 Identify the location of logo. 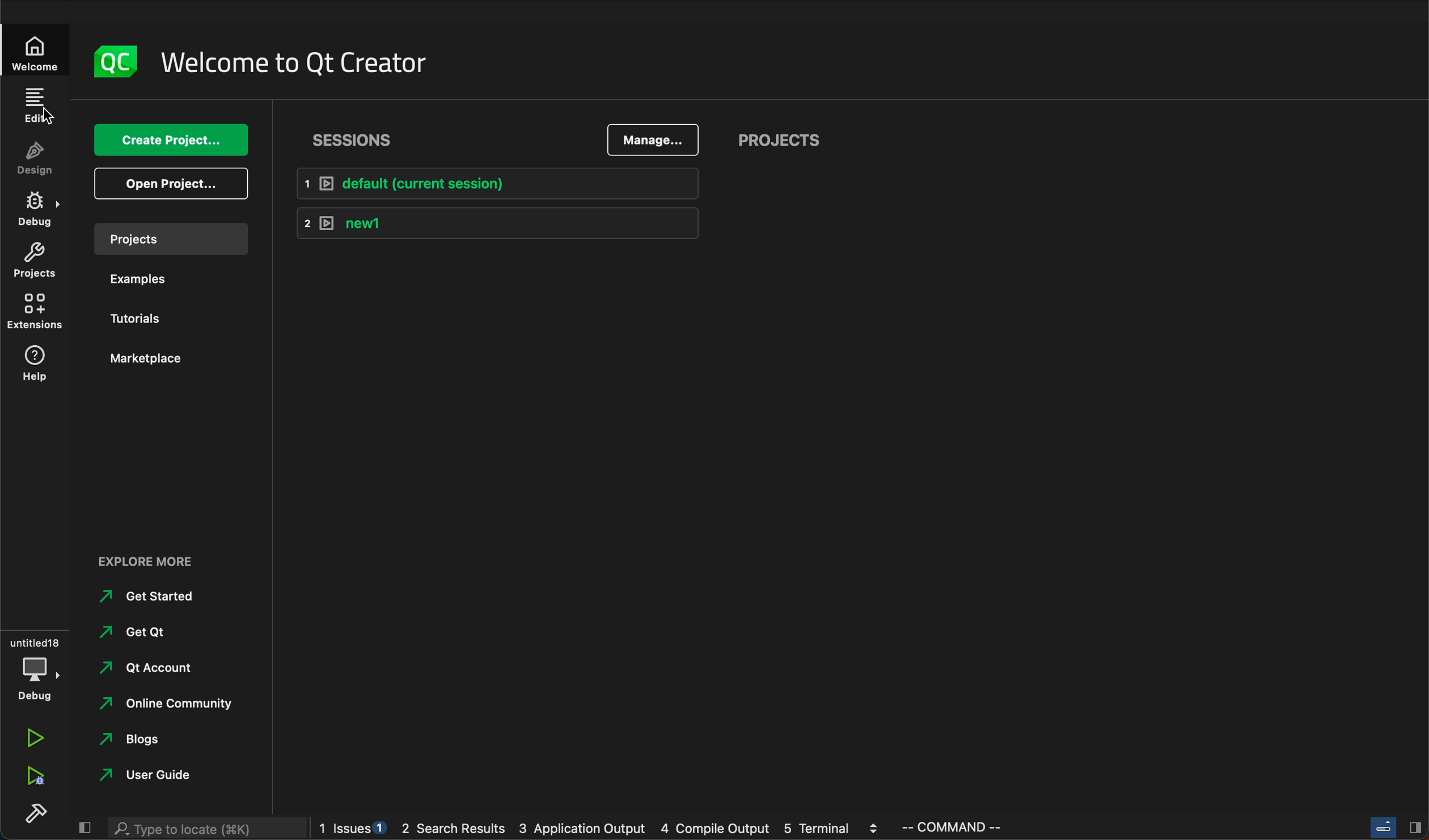
(116, 63).